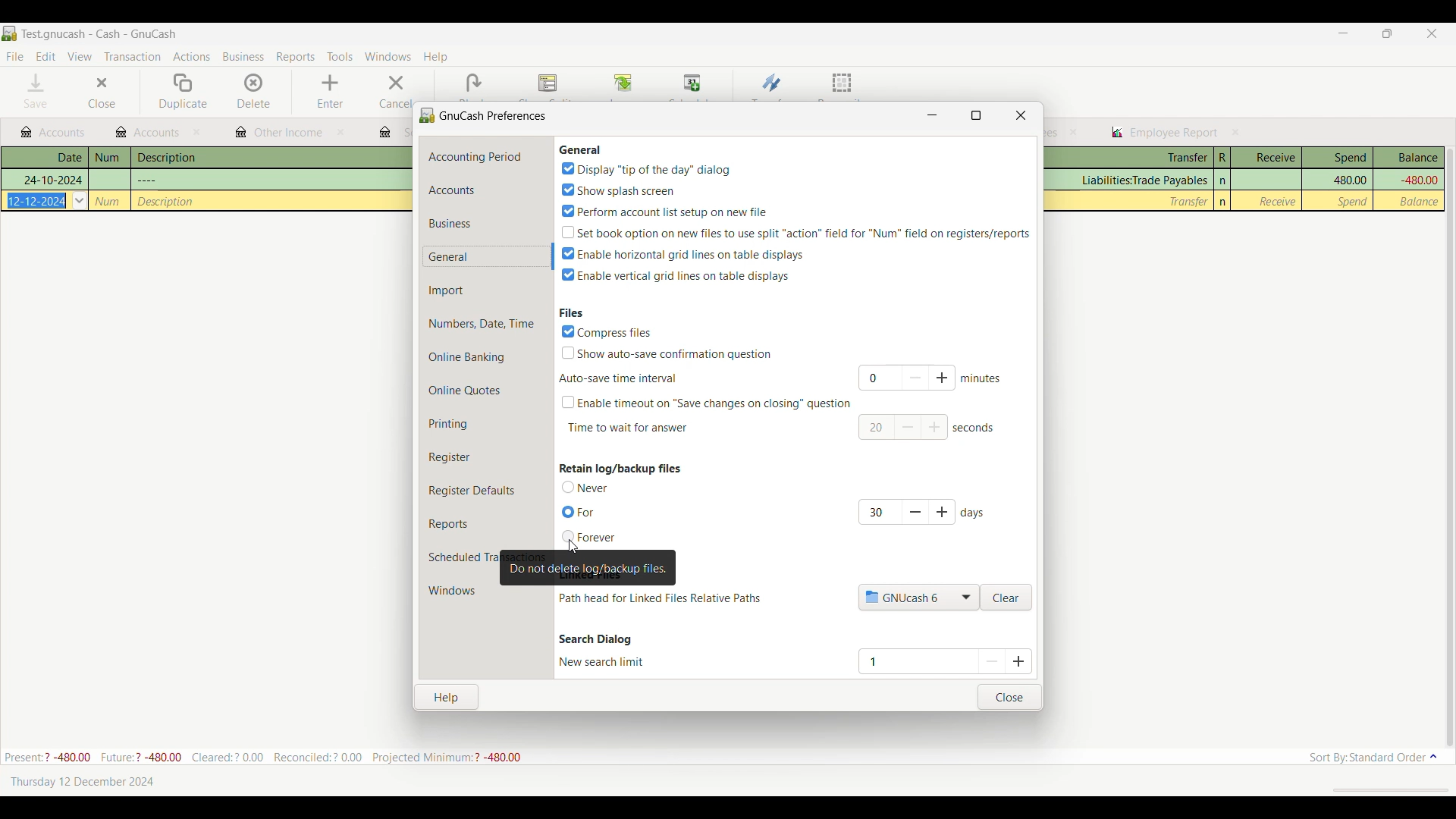  Describe the element at coordinates (167, 201) in the screenshot. I see `` at that location.